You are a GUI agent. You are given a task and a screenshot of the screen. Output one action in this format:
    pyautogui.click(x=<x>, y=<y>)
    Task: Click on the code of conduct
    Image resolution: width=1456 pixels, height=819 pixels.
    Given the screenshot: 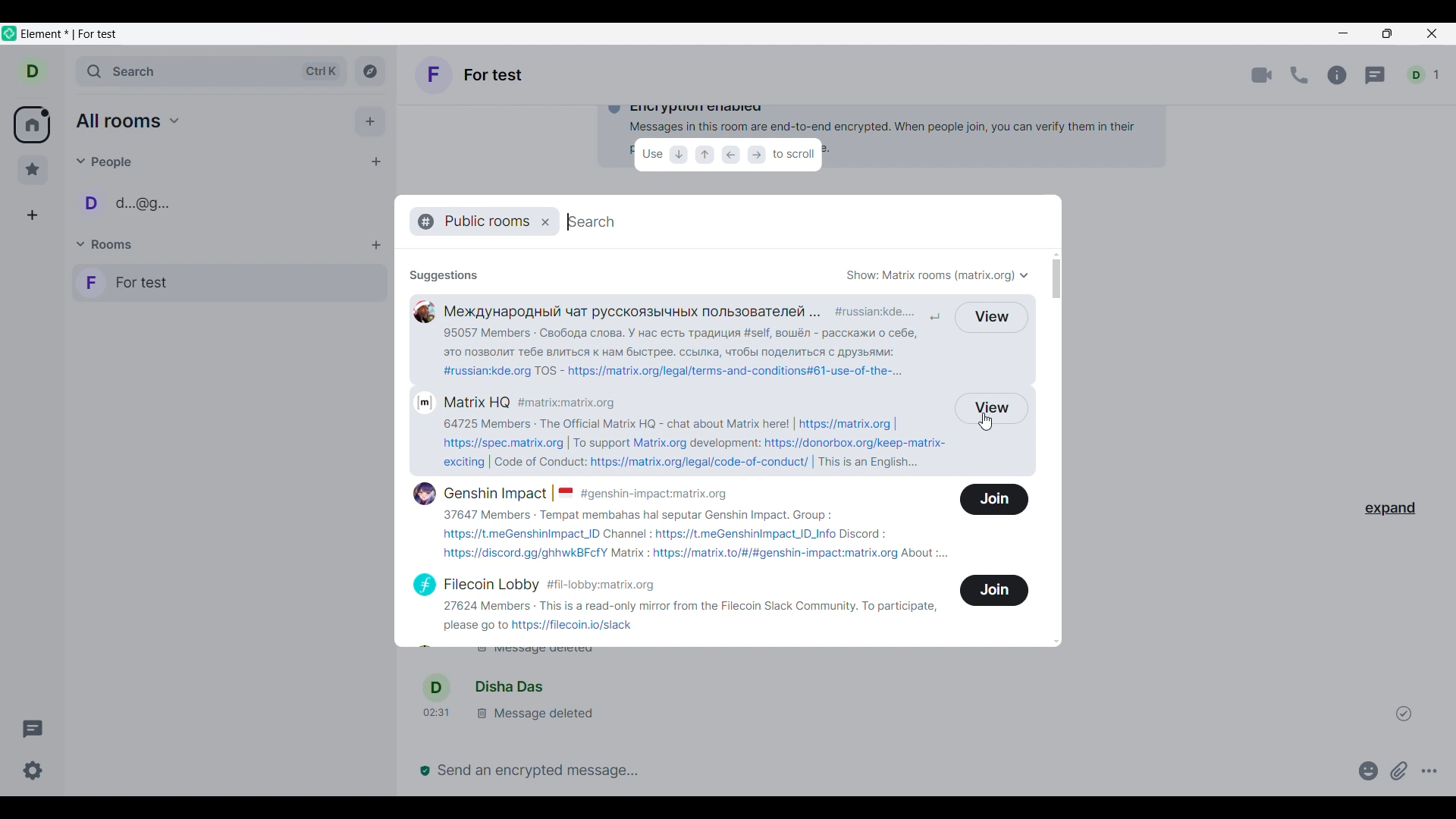 What is the action you would take?
    pyautogui.click(x=537, y=463)
    